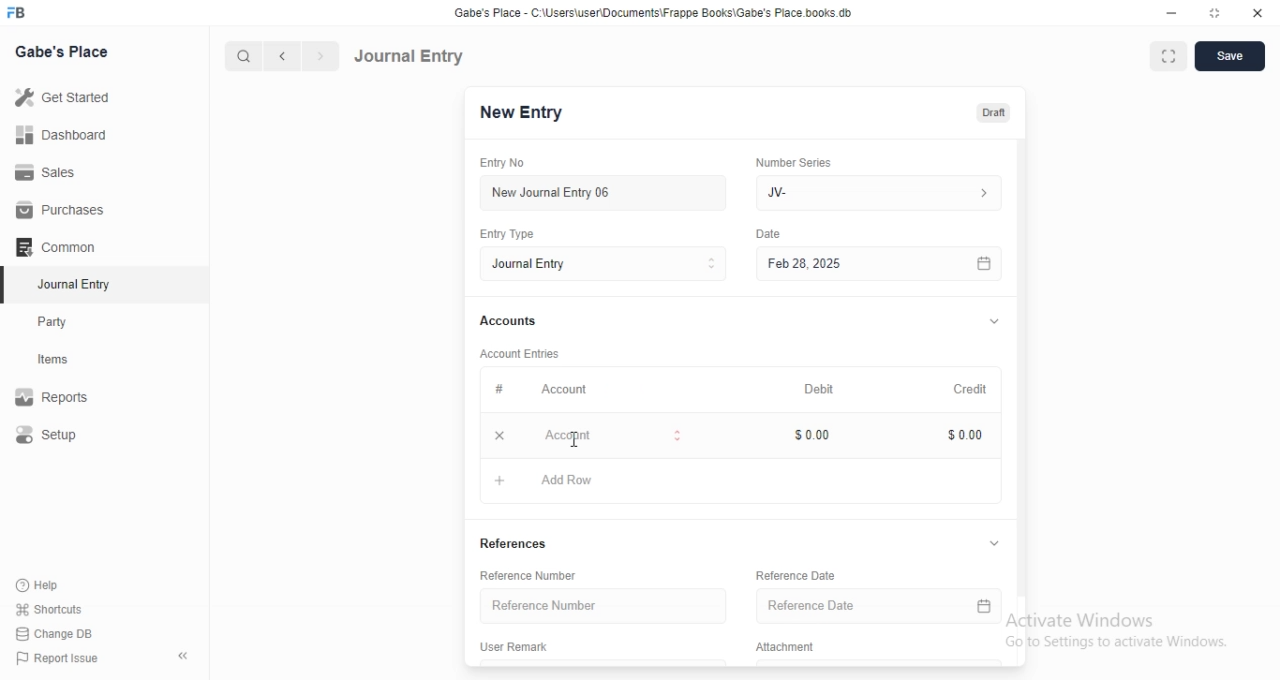 This screenshot has width=1280, height=680. I want to click on minimize, so click(1170, 16).